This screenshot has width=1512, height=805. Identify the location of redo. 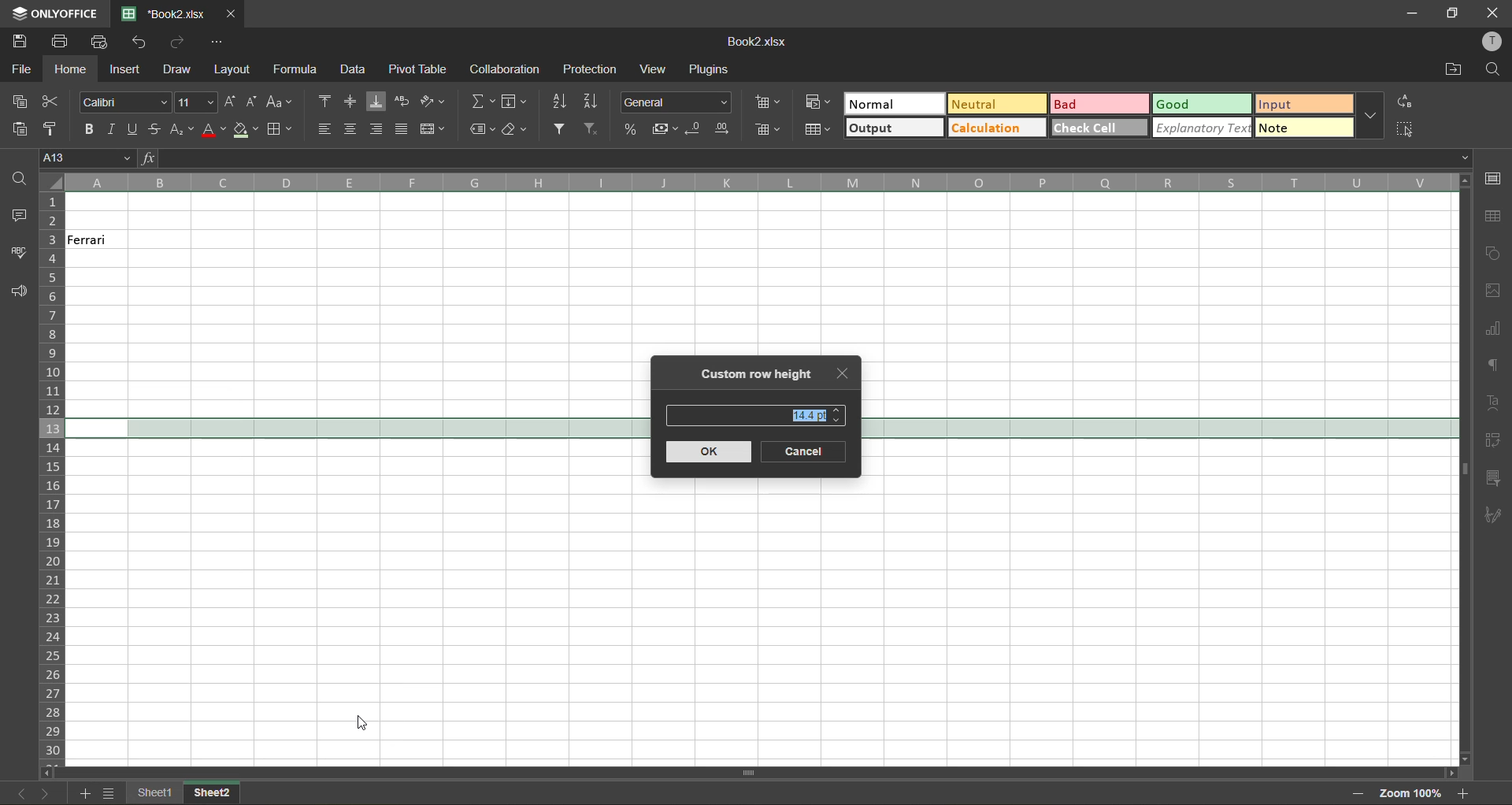
(180, 43).